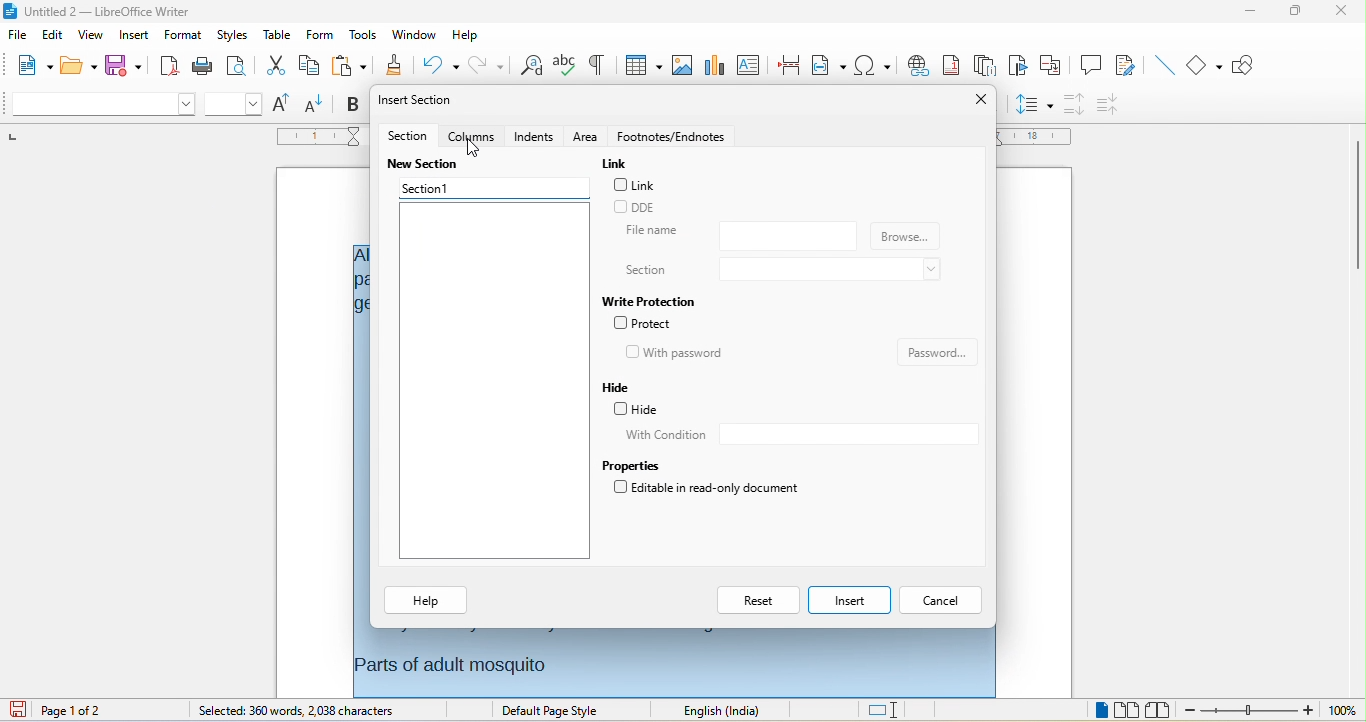  Describe the element at coordinates (1075, 105) in the screenshot. I see `increase paragraph spacing` at that location.